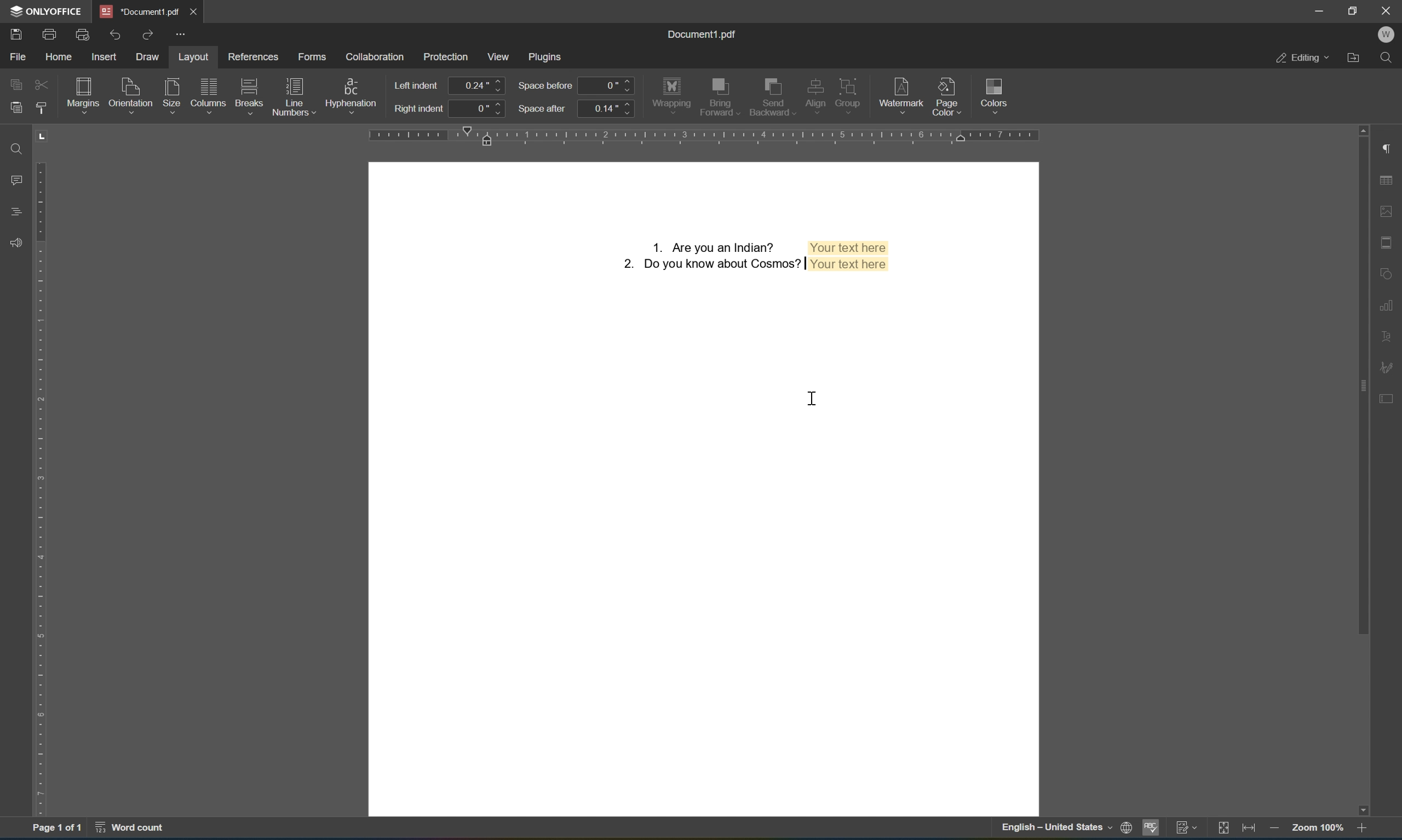 The image size is (1402, 840). What do you see at coordinates (1390, 147) in the screenshot?
I see `paragraph settings` at bounding box center [1390, 147].